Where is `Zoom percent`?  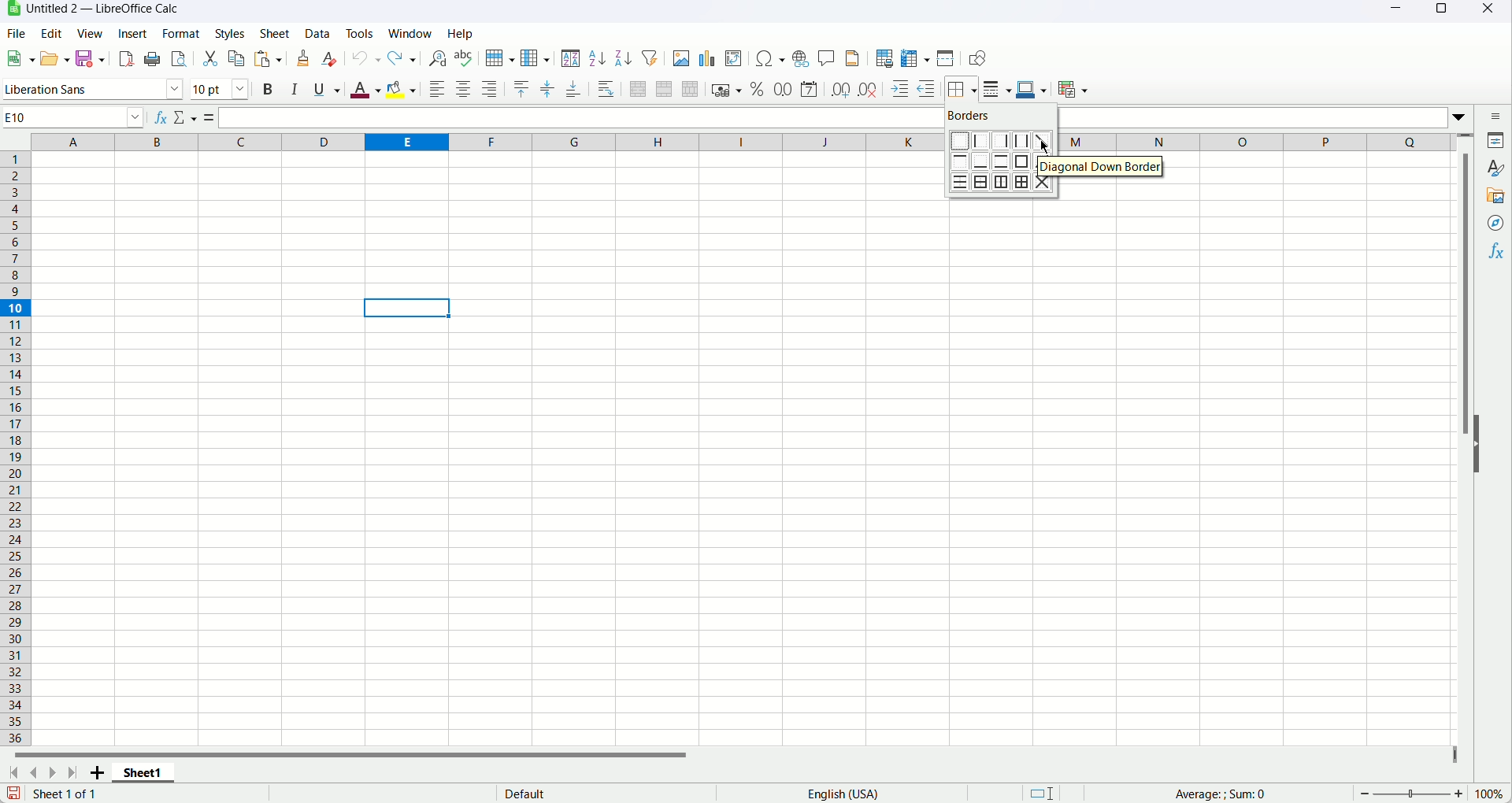 Zoom percent is located at coordinates (1490, 794).